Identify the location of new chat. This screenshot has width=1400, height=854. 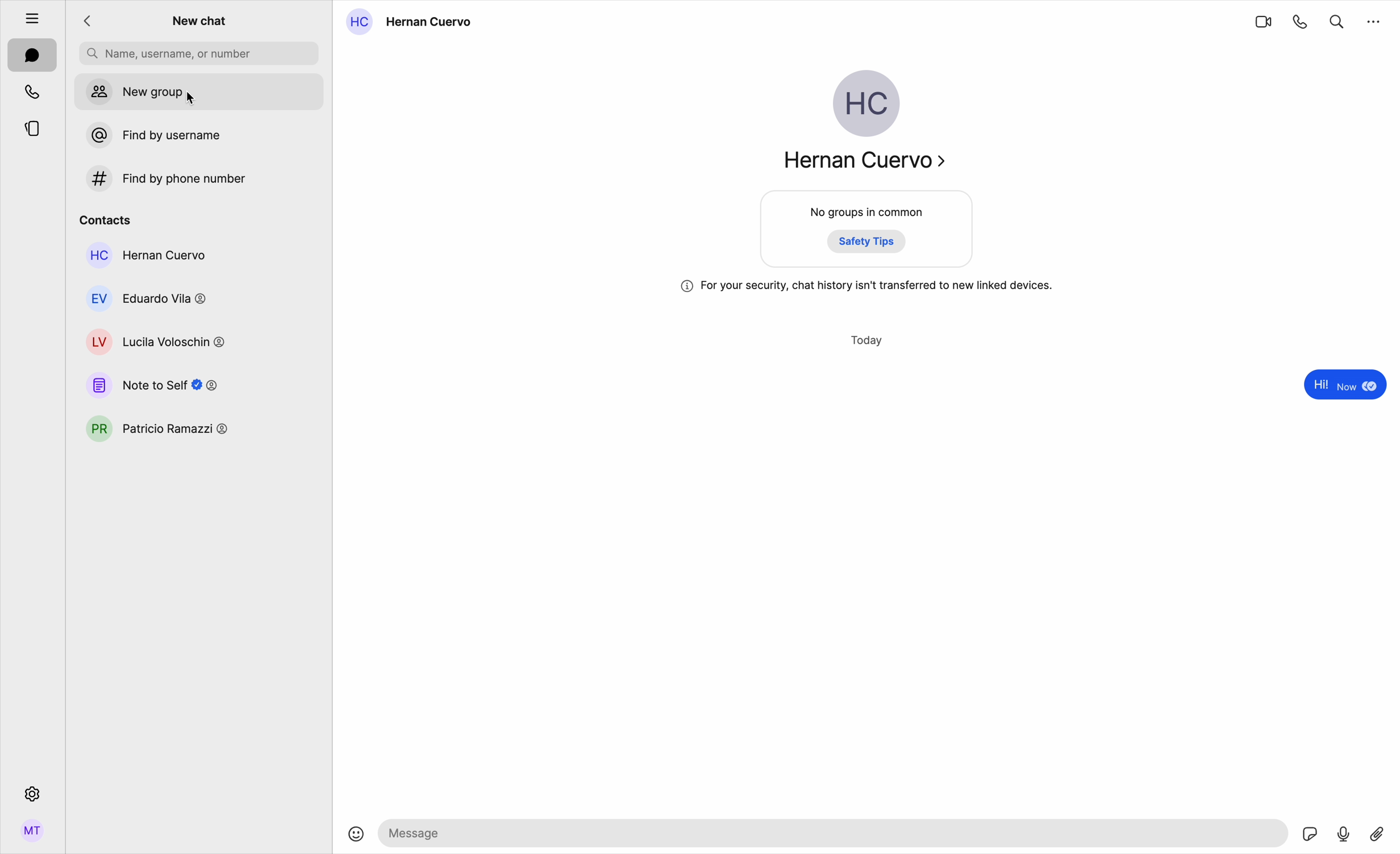
(201, 22).